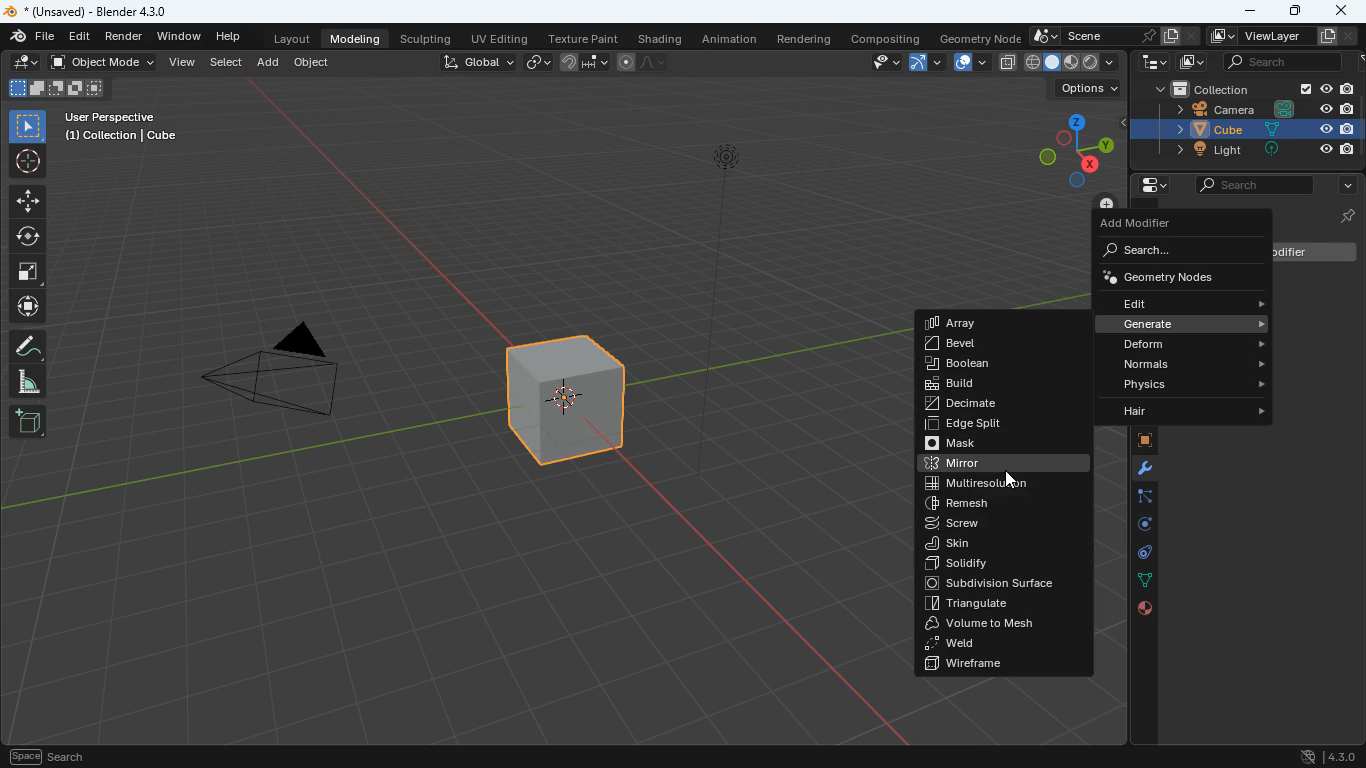 The image size is (1366, 768). What do you see at coordinates (477, 64) in the screenshot?
I see `global` at bounding box center [477, 64].